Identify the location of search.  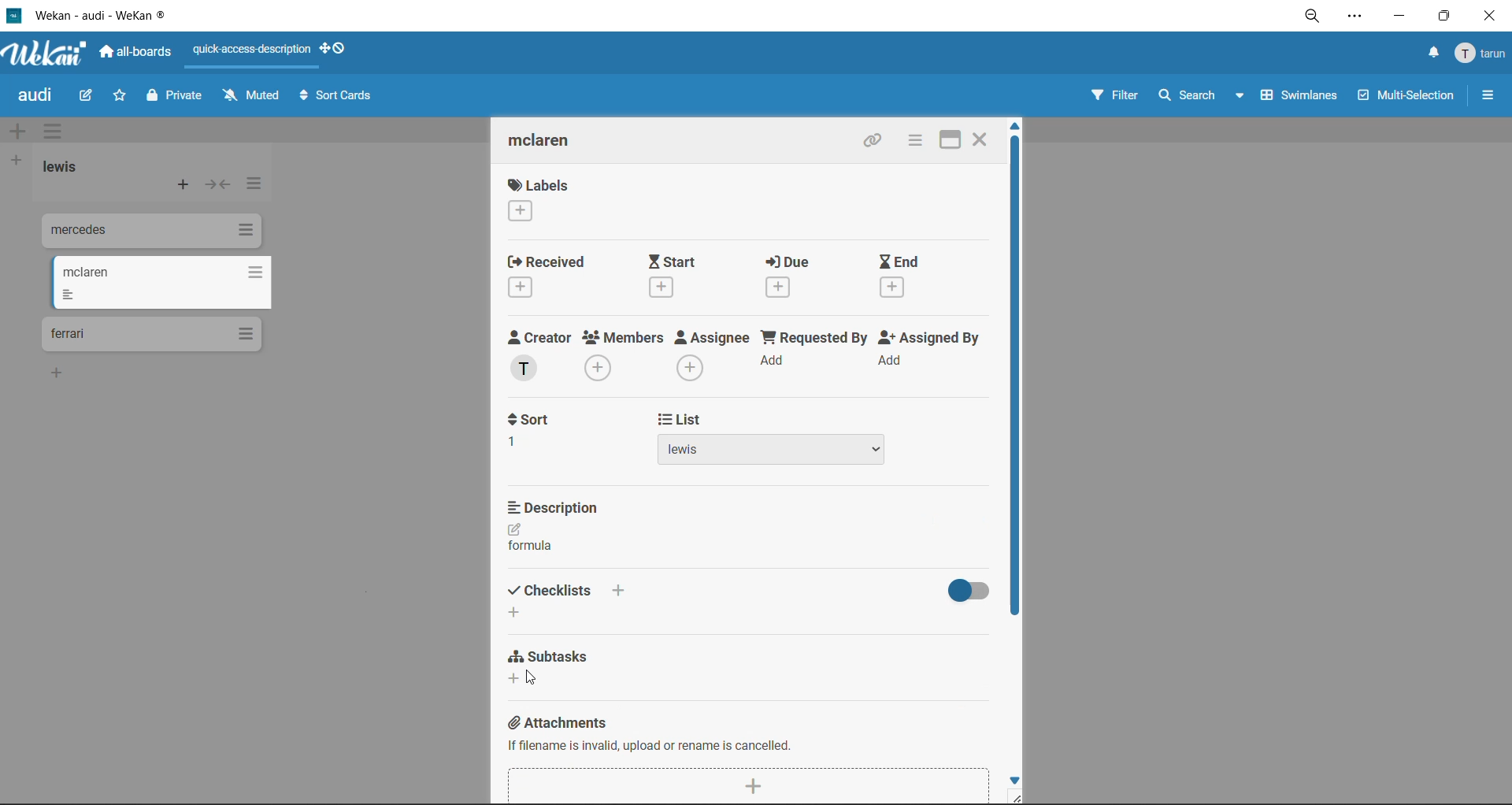
(1203, 96).